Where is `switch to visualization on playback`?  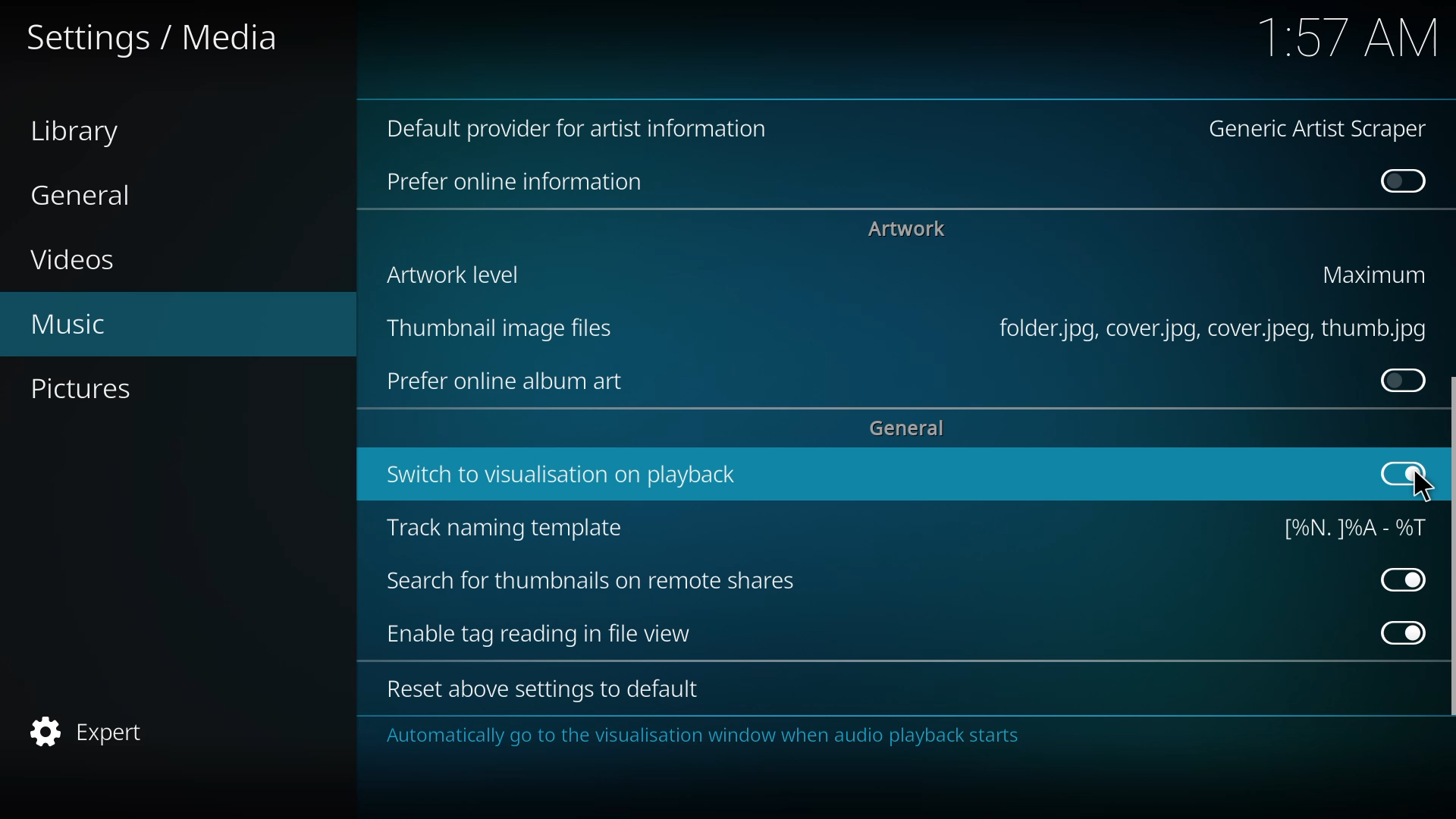
switch to visualization on playback is located at coordinates (557, 475).